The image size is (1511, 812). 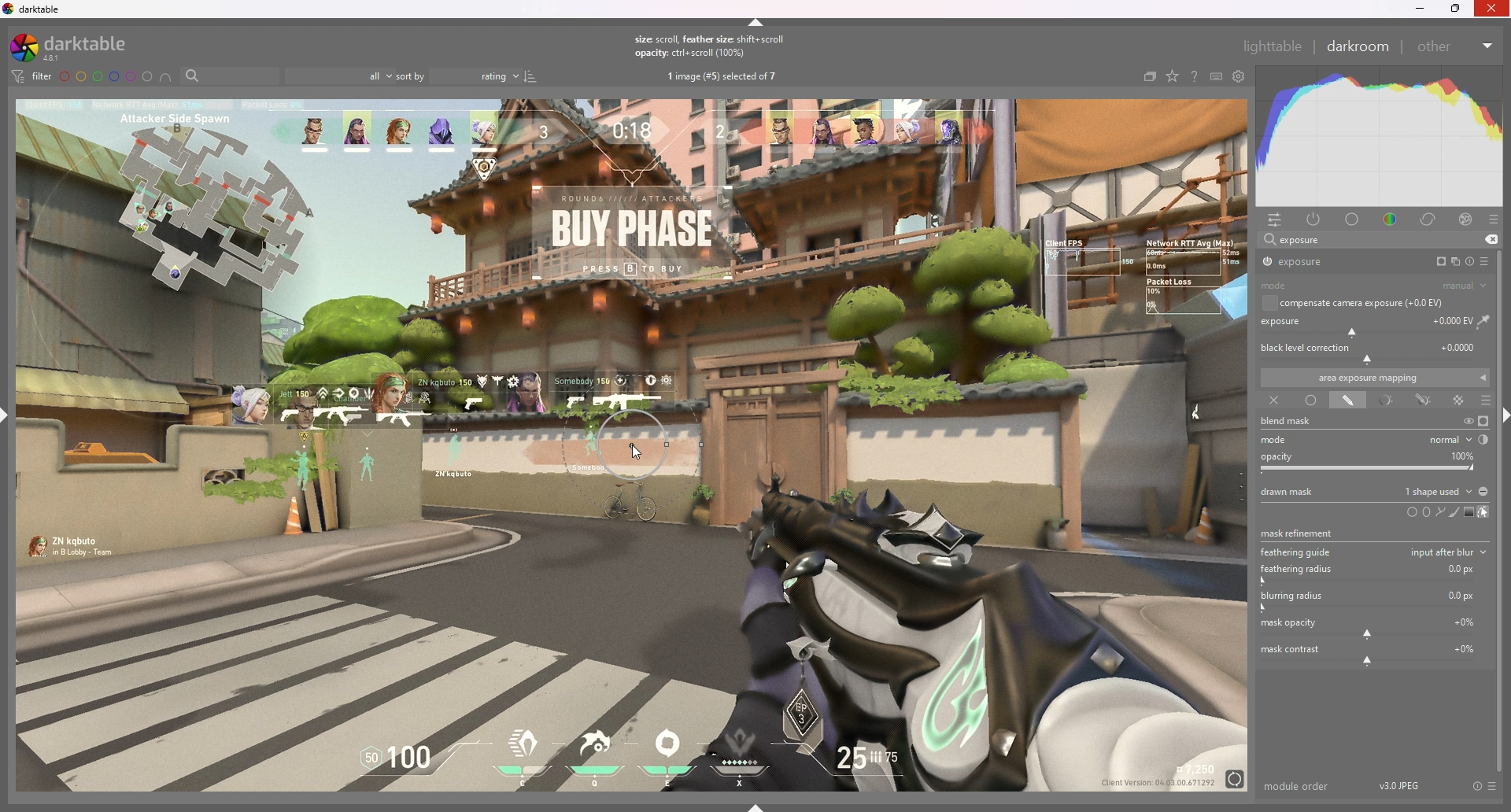 What do you see at coordinates (33, 76) in the screenshot?
I see `filter` at bounding box center [33, 76].